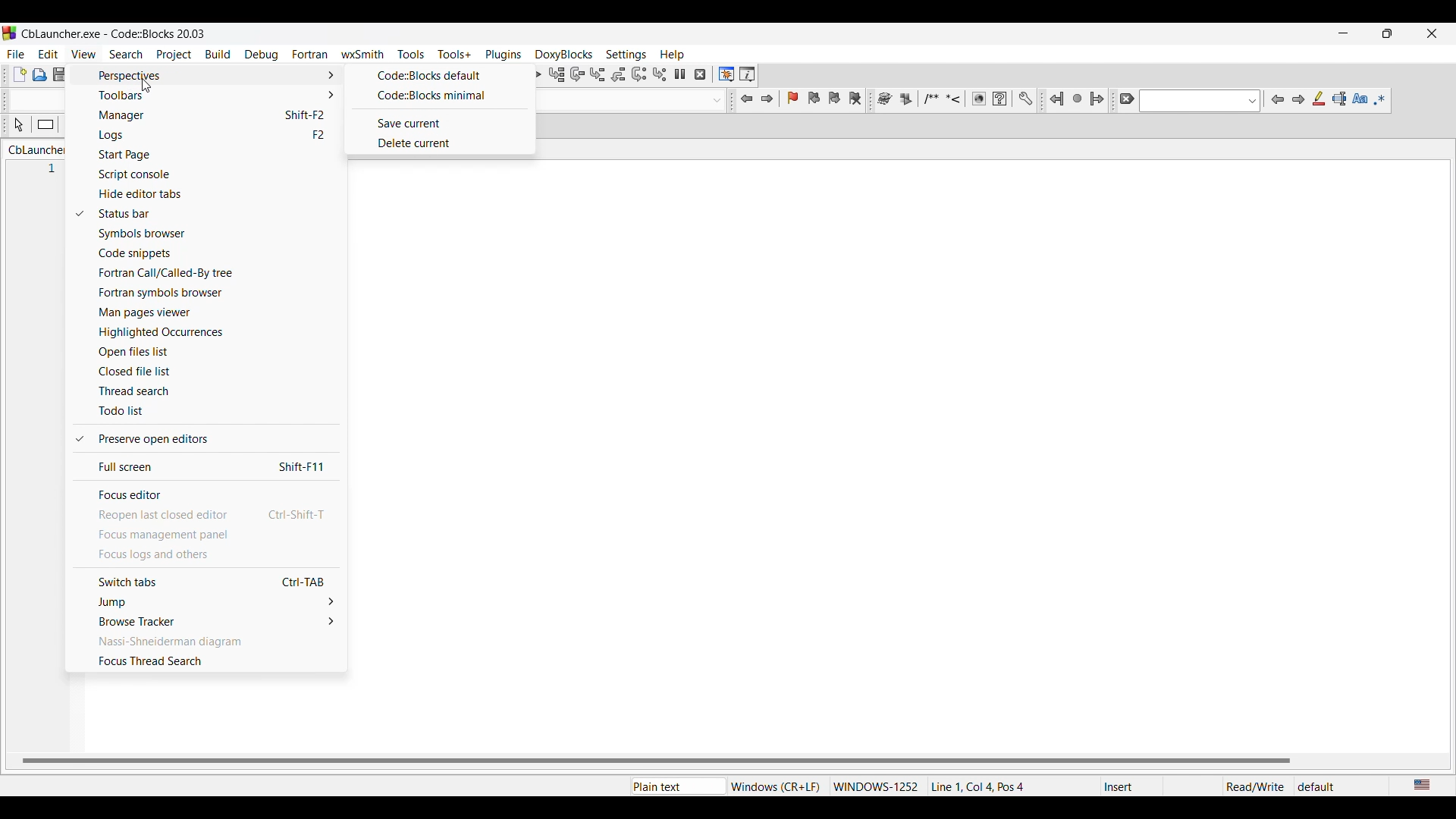 The width and height of the screenshot is (1456, 819). What do you see at coordinates (1078, 99) in the screenshot?
I see `Last jump` at bounding box center [1078, 99].